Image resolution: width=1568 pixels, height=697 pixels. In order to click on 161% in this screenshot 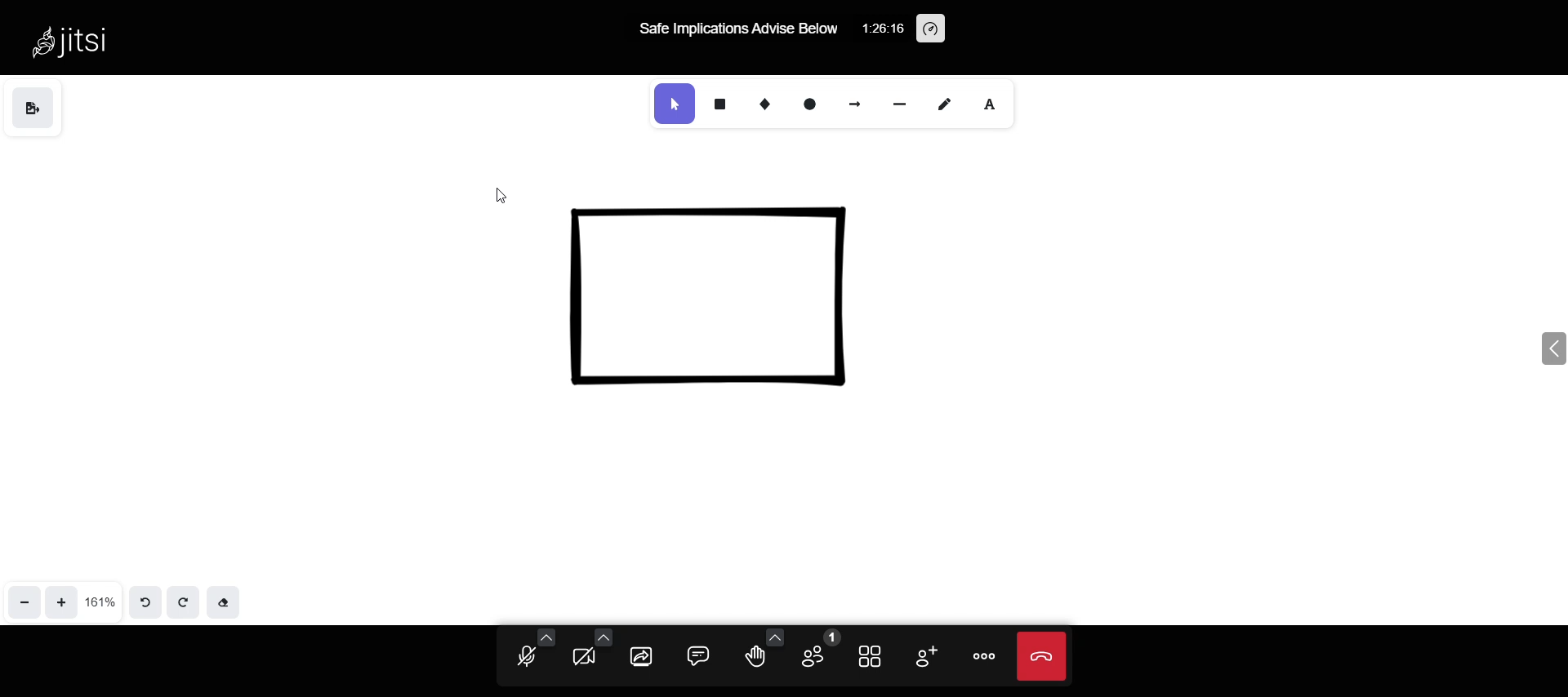, I will do `click(100, 597)`.